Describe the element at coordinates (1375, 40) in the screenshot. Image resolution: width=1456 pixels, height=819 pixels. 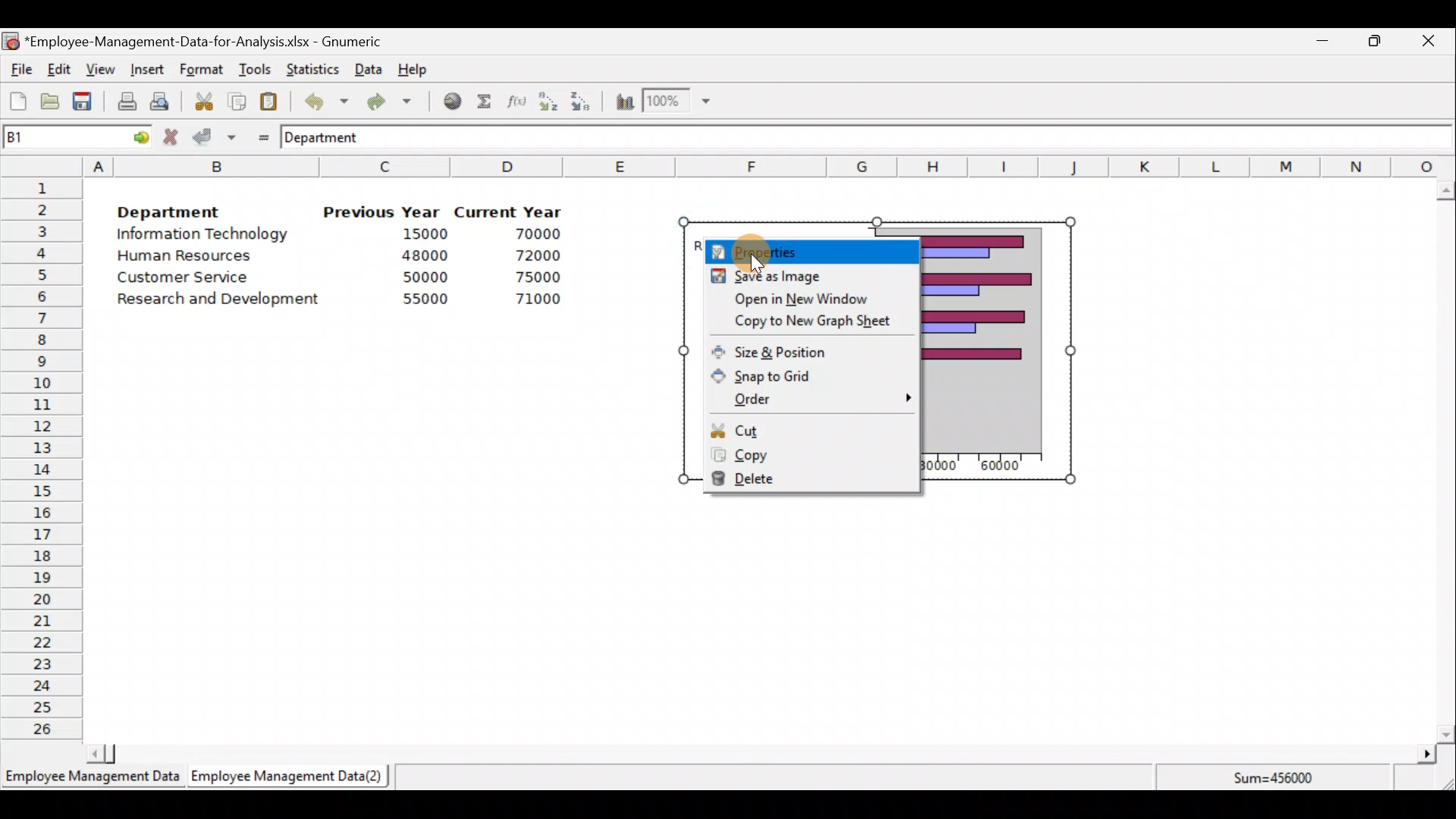
I see `Maximize` at that location.